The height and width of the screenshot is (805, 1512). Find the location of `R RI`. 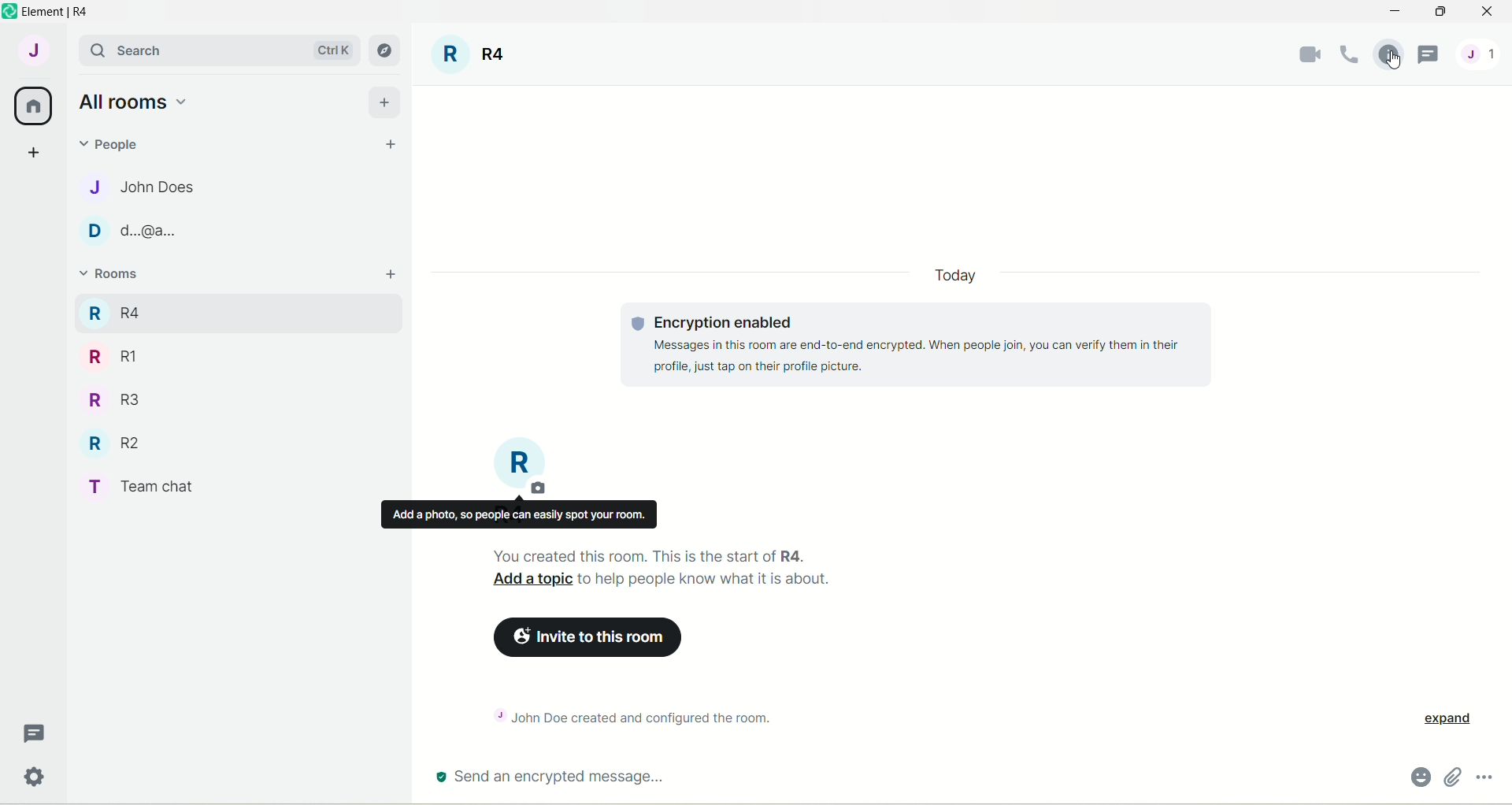

R RI is located at coordinates (113, 356).